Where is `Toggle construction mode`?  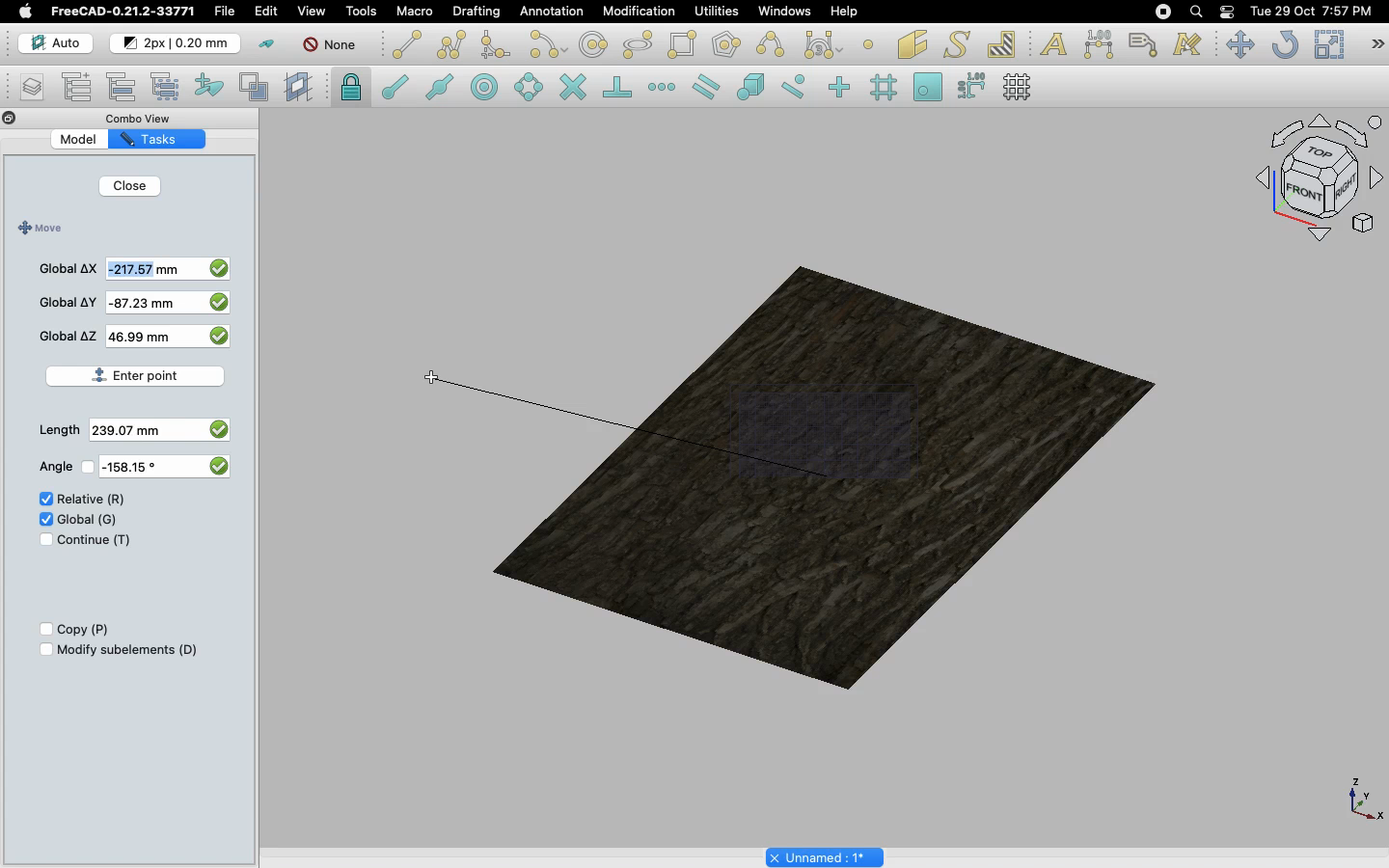
Toggle construction mode is located at coordinates (267, 44).